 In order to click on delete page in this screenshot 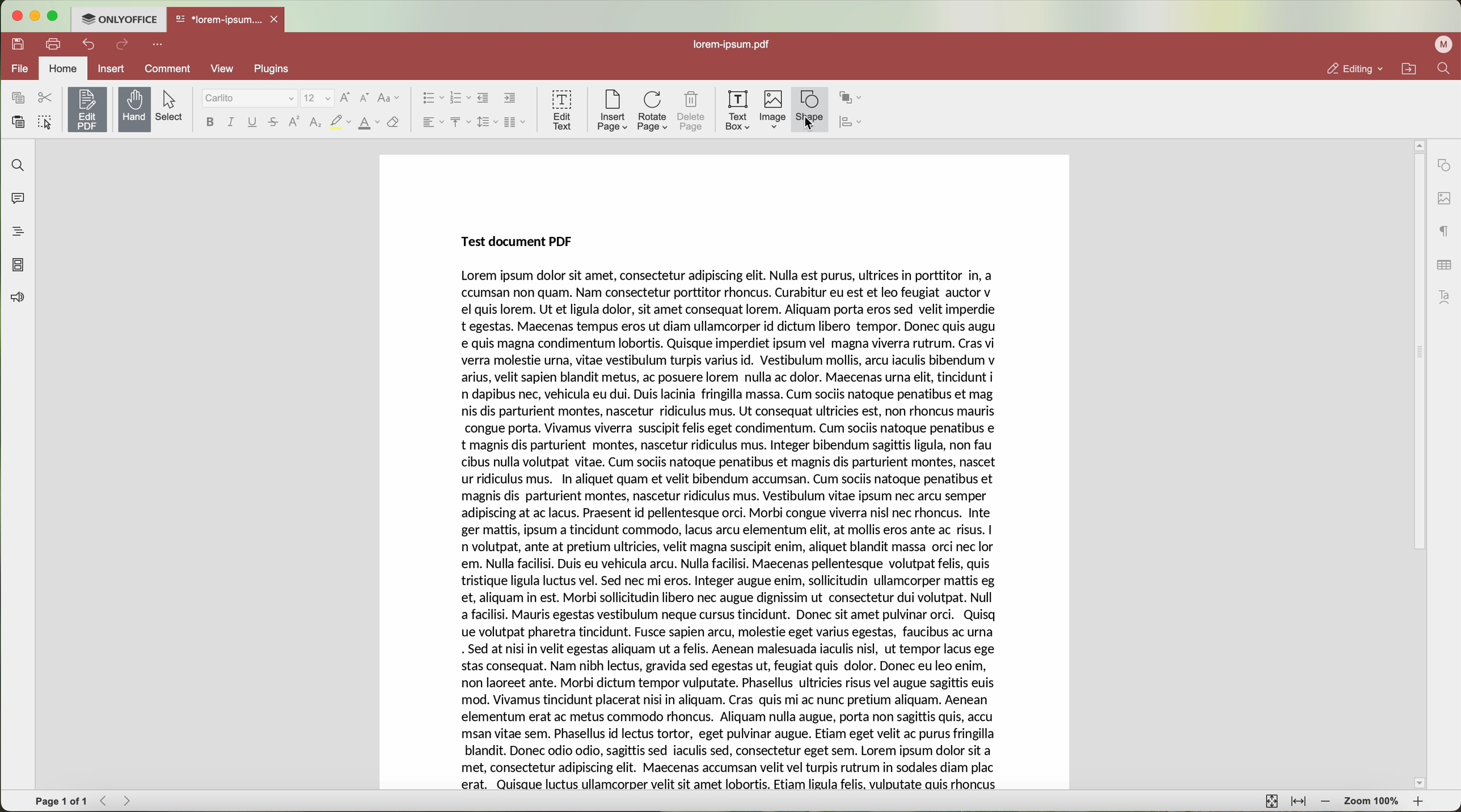, I will do `click(693, 111)`.